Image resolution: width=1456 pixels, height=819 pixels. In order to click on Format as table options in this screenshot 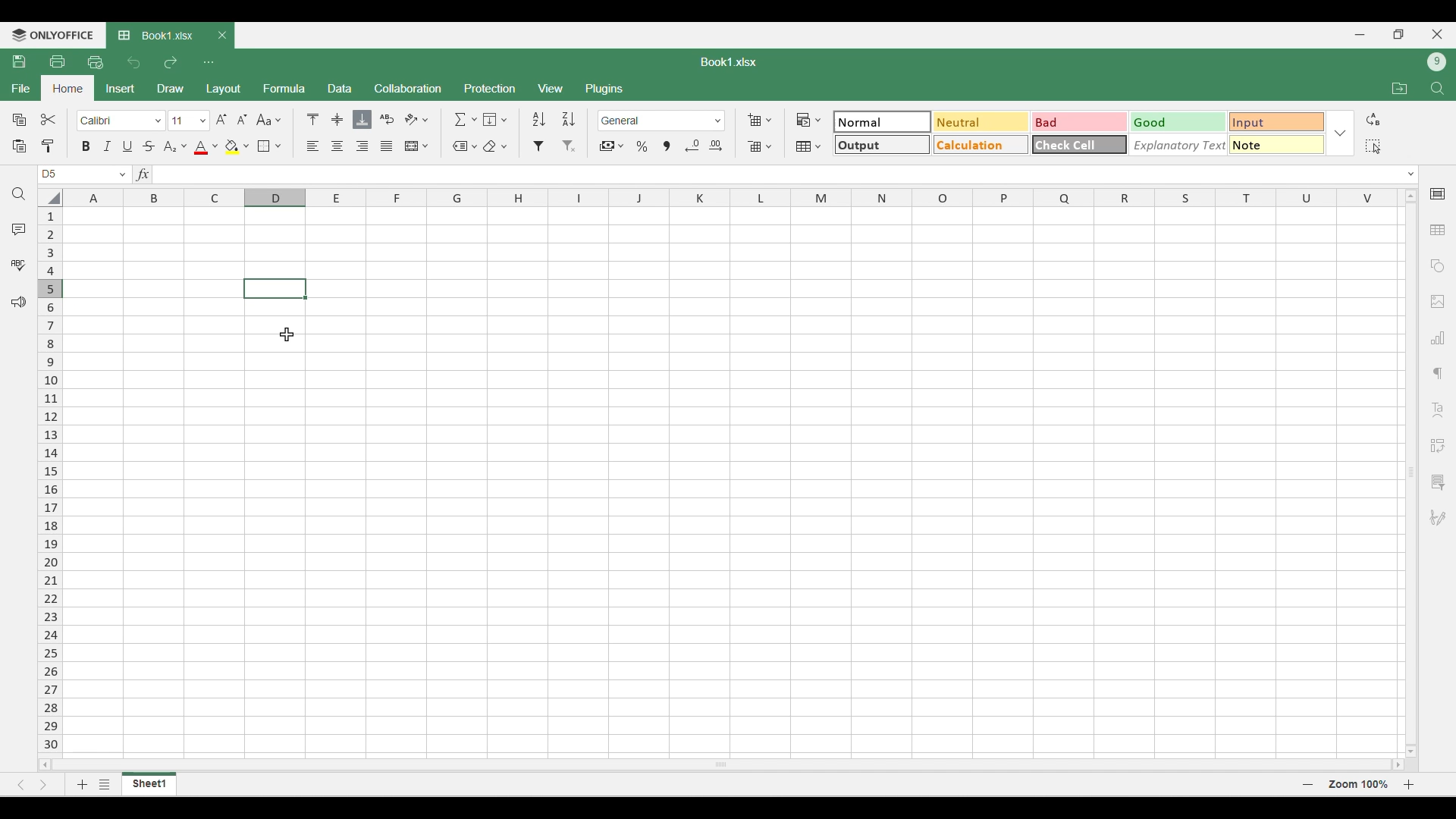, I will do `click(808, 146)`.